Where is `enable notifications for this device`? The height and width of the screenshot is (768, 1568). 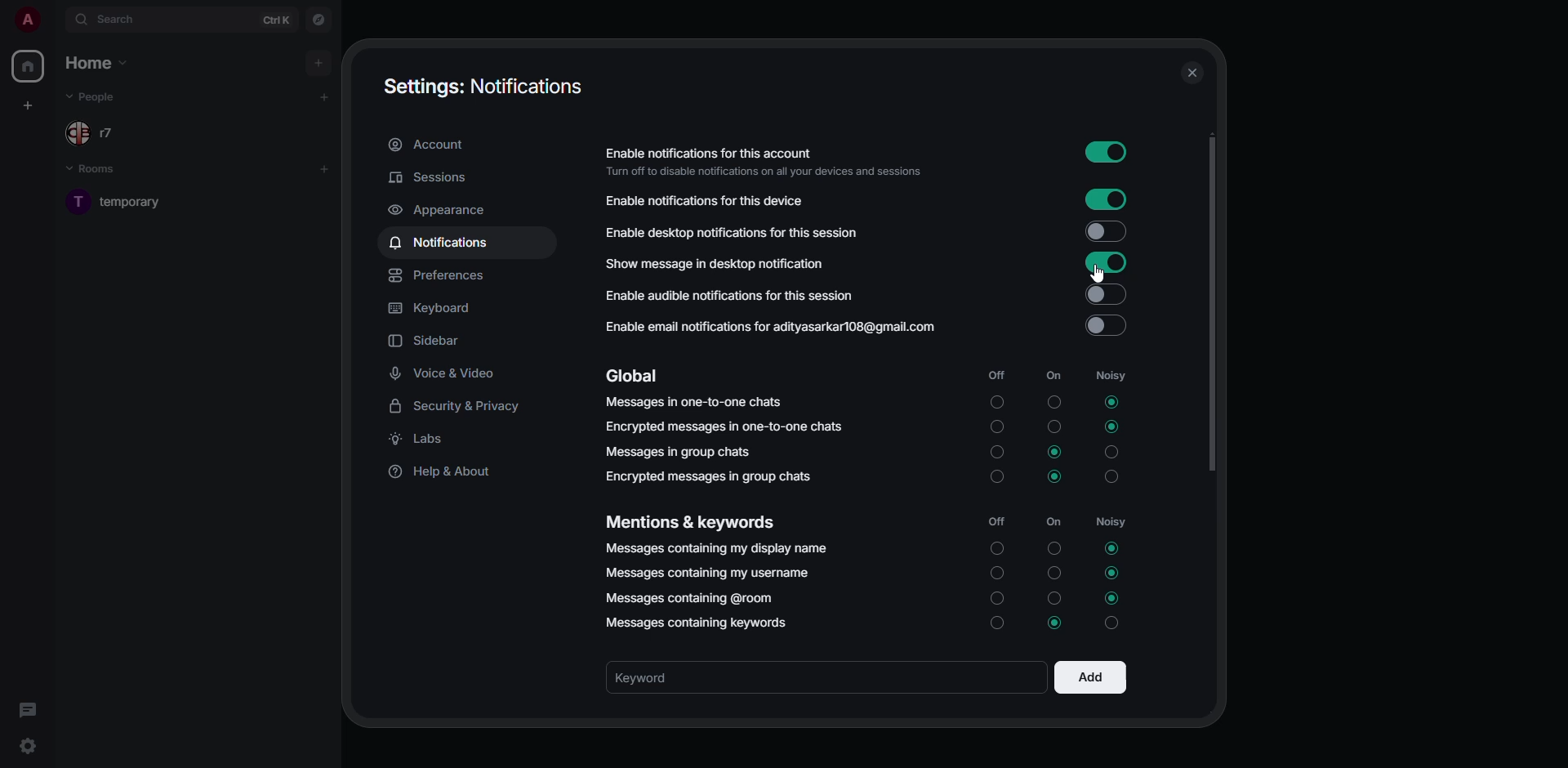
enable notifications for this device is located at coordinates (704, 201).